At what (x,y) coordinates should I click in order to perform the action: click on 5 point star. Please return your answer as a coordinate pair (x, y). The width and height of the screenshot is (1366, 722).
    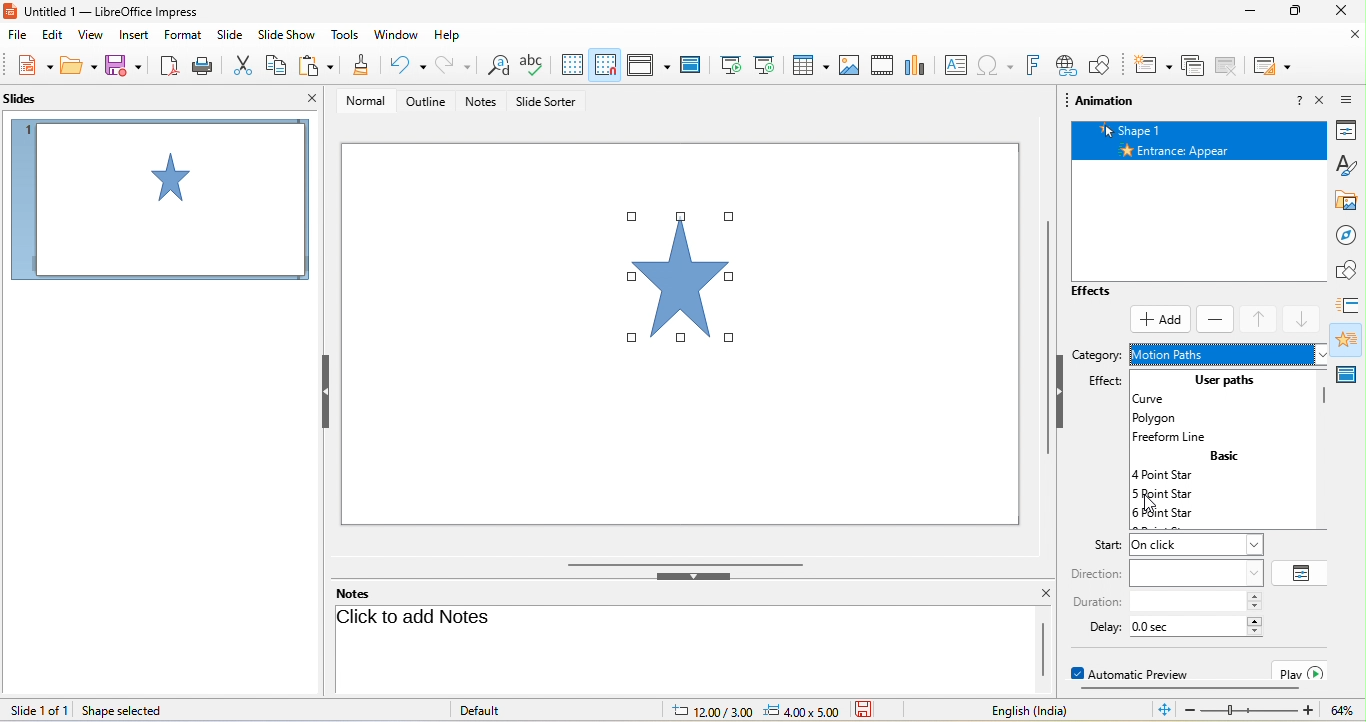
    Looking at the image, I should click on (1182, 495).